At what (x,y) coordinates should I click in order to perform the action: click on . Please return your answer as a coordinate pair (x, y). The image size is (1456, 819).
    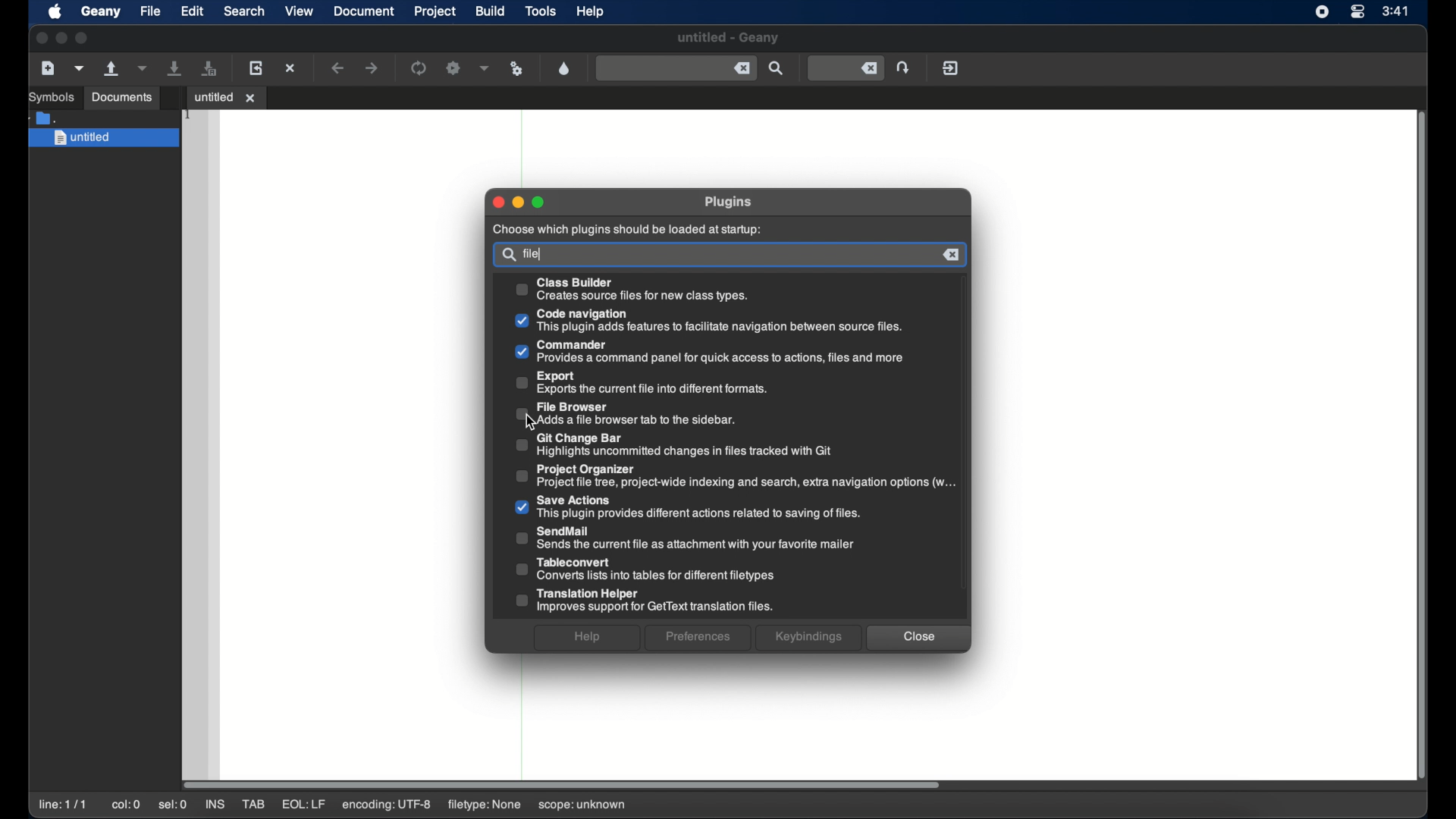
    Looking at the image, I should click on (507, 256).